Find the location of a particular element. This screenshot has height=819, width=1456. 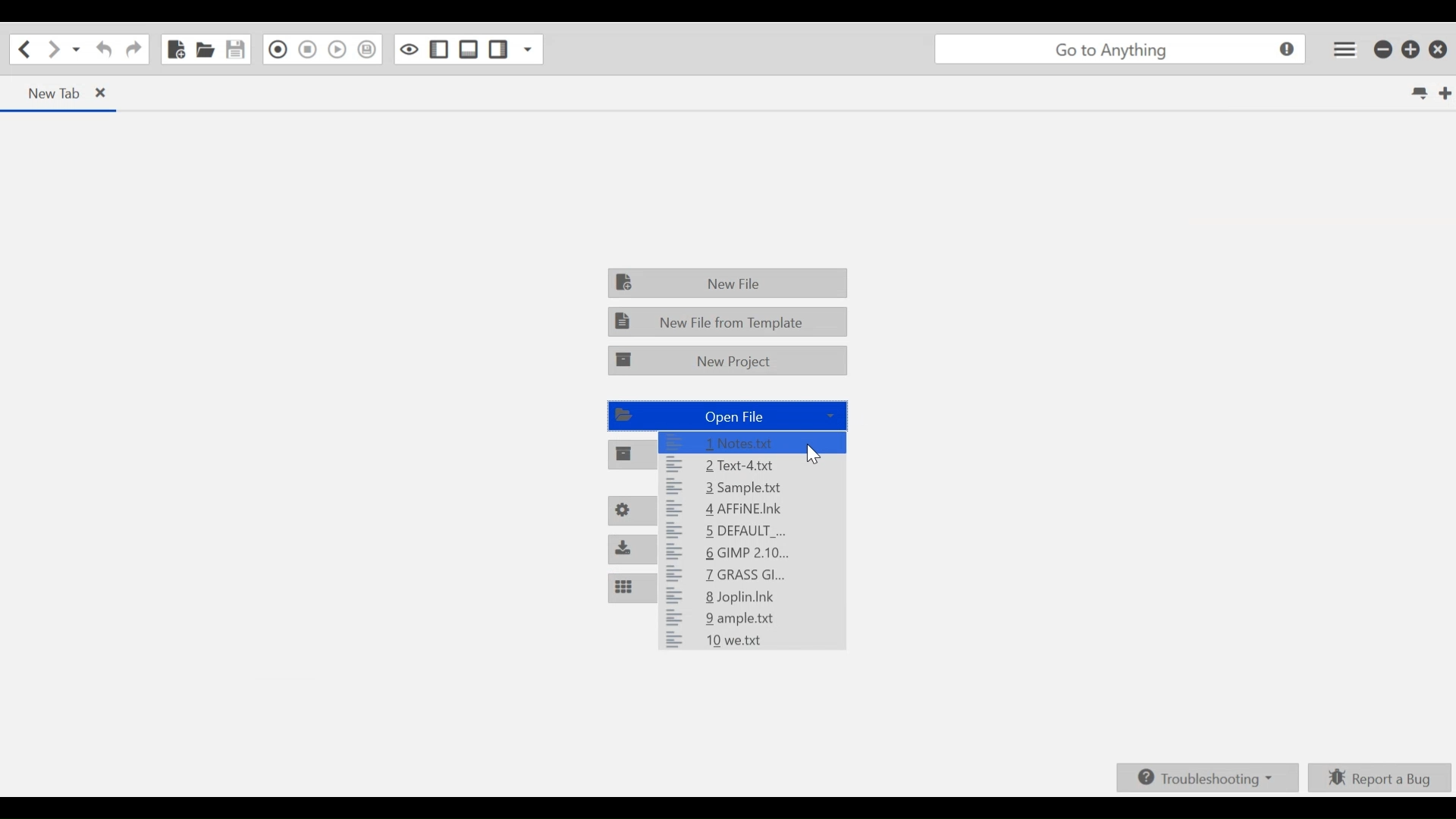

6 GIMP 2.10... is located at coordinates (755, 552).